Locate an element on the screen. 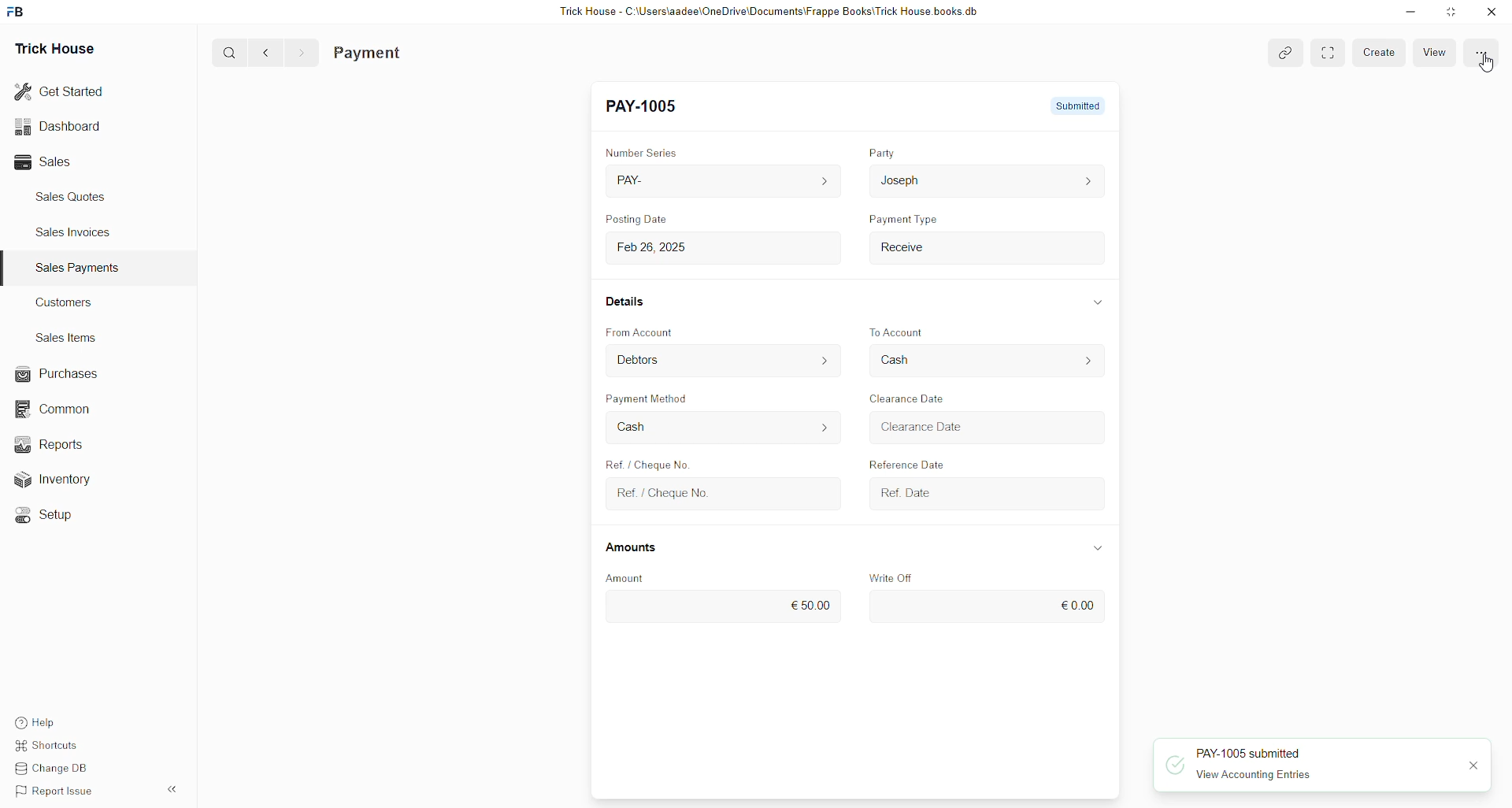 This screenshot has width=1512, height=808. €50.00 is located at coordinates (720, 607).